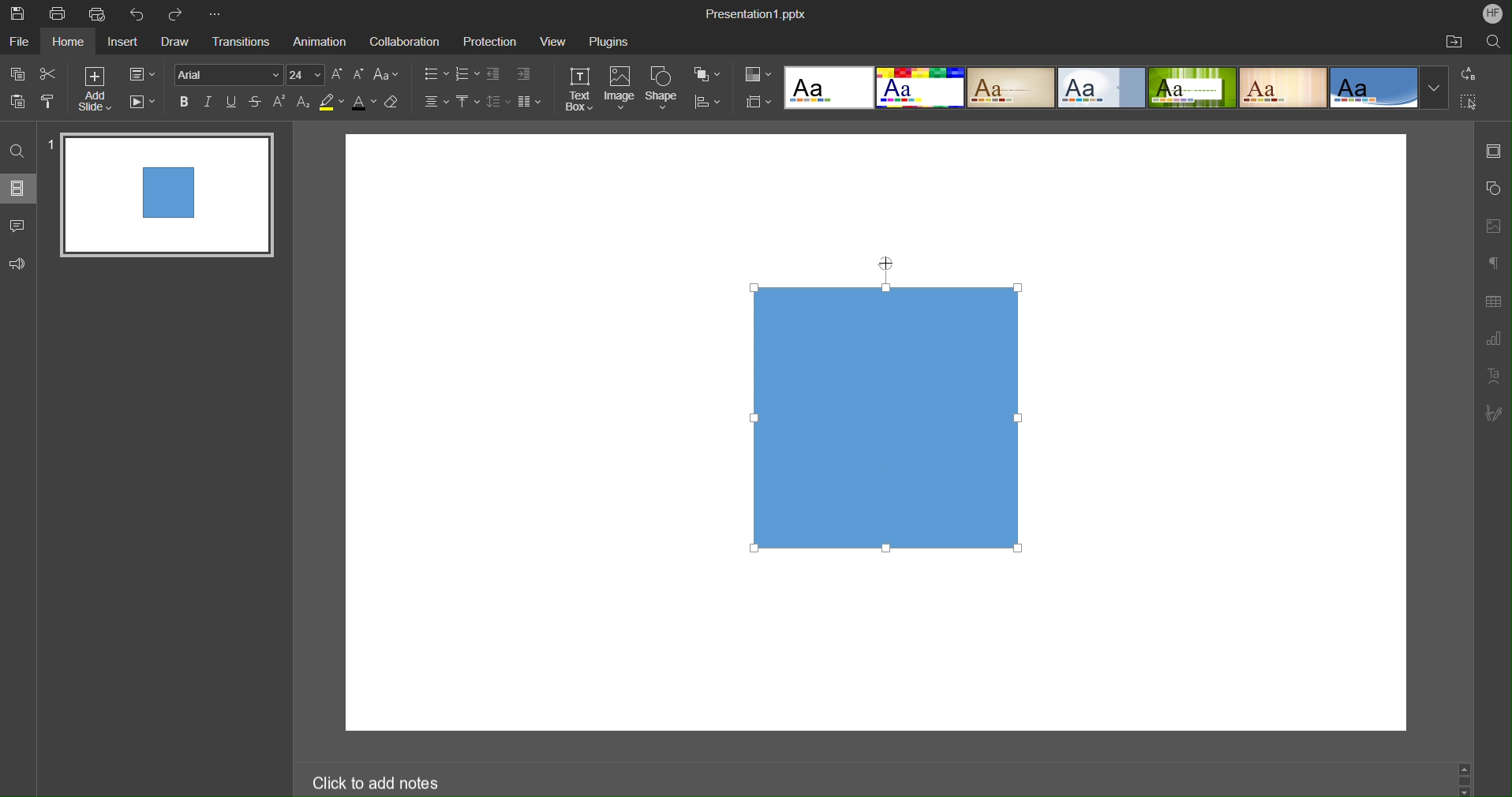  I want to click on Bullet List, so click(432, 75).